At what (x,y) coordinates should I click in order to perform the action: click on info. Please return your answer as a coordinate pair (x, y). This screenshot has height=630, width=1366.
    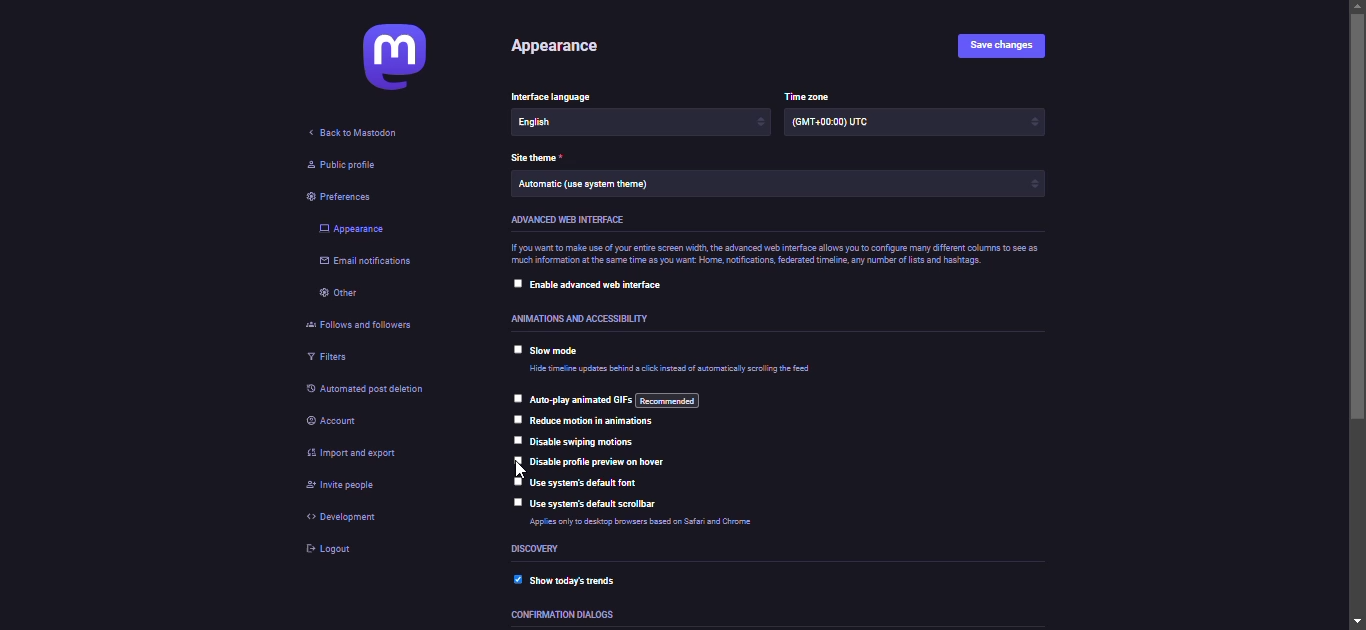
    Looking at the image, I should click on (672, 369).